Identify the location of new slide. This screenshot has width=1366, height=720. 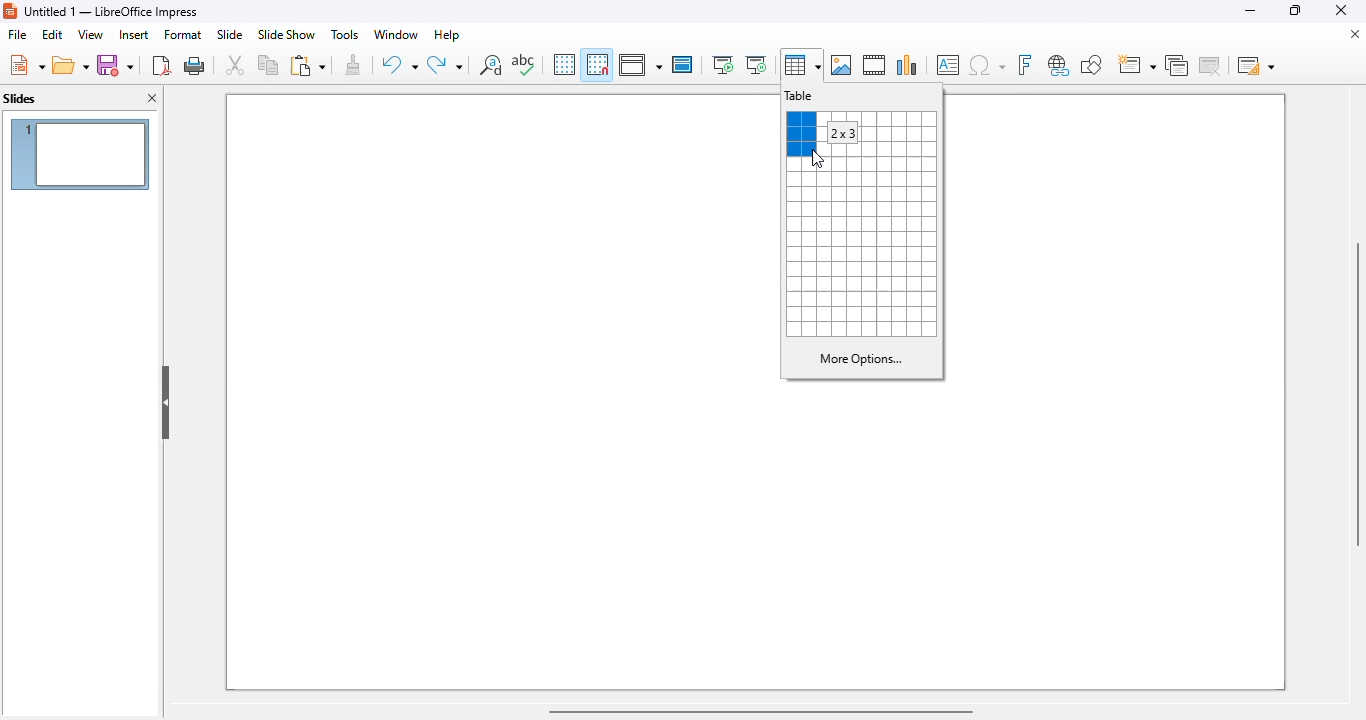
(1135, 64).